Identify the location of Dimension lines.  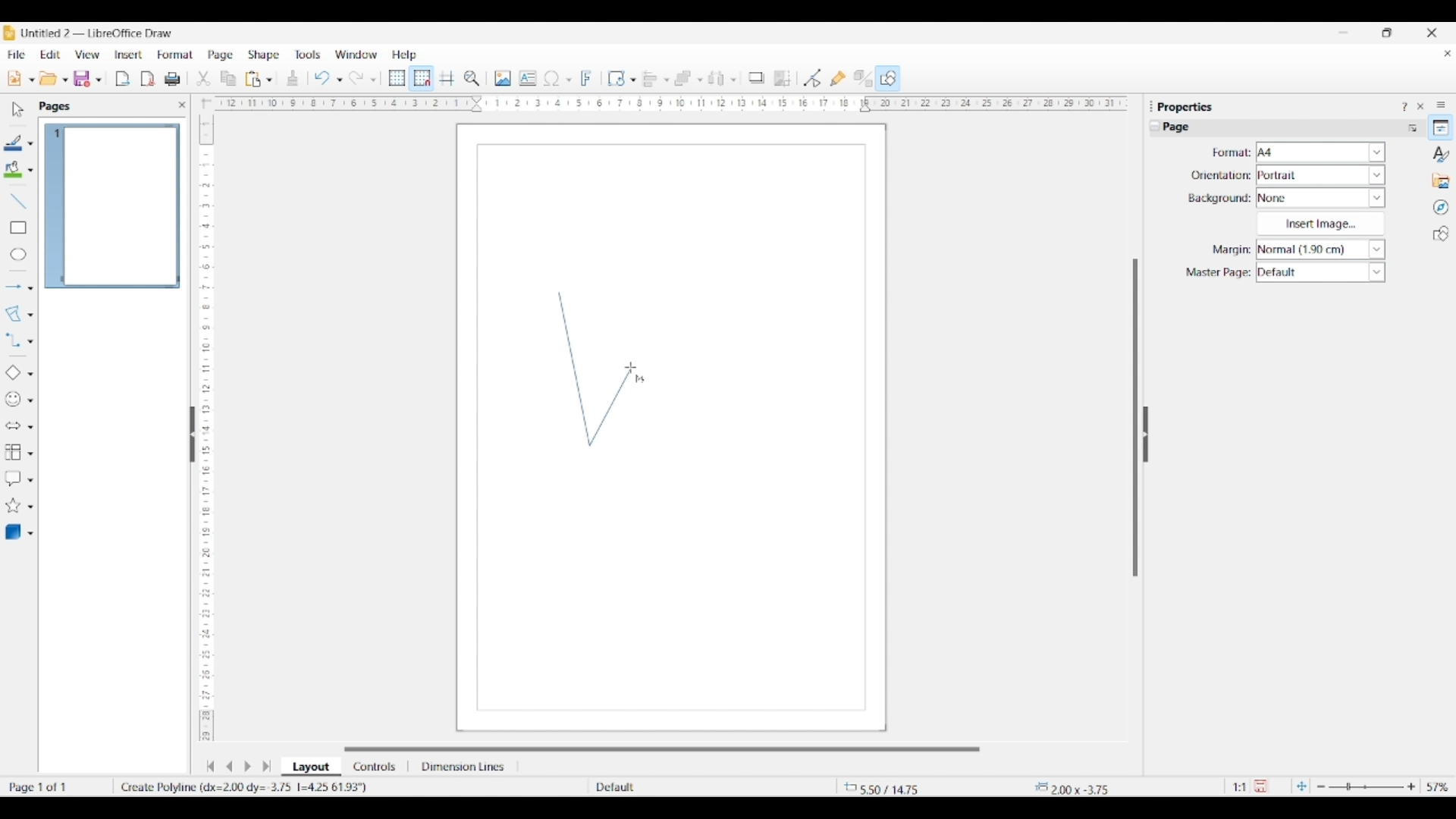
(464, 767).